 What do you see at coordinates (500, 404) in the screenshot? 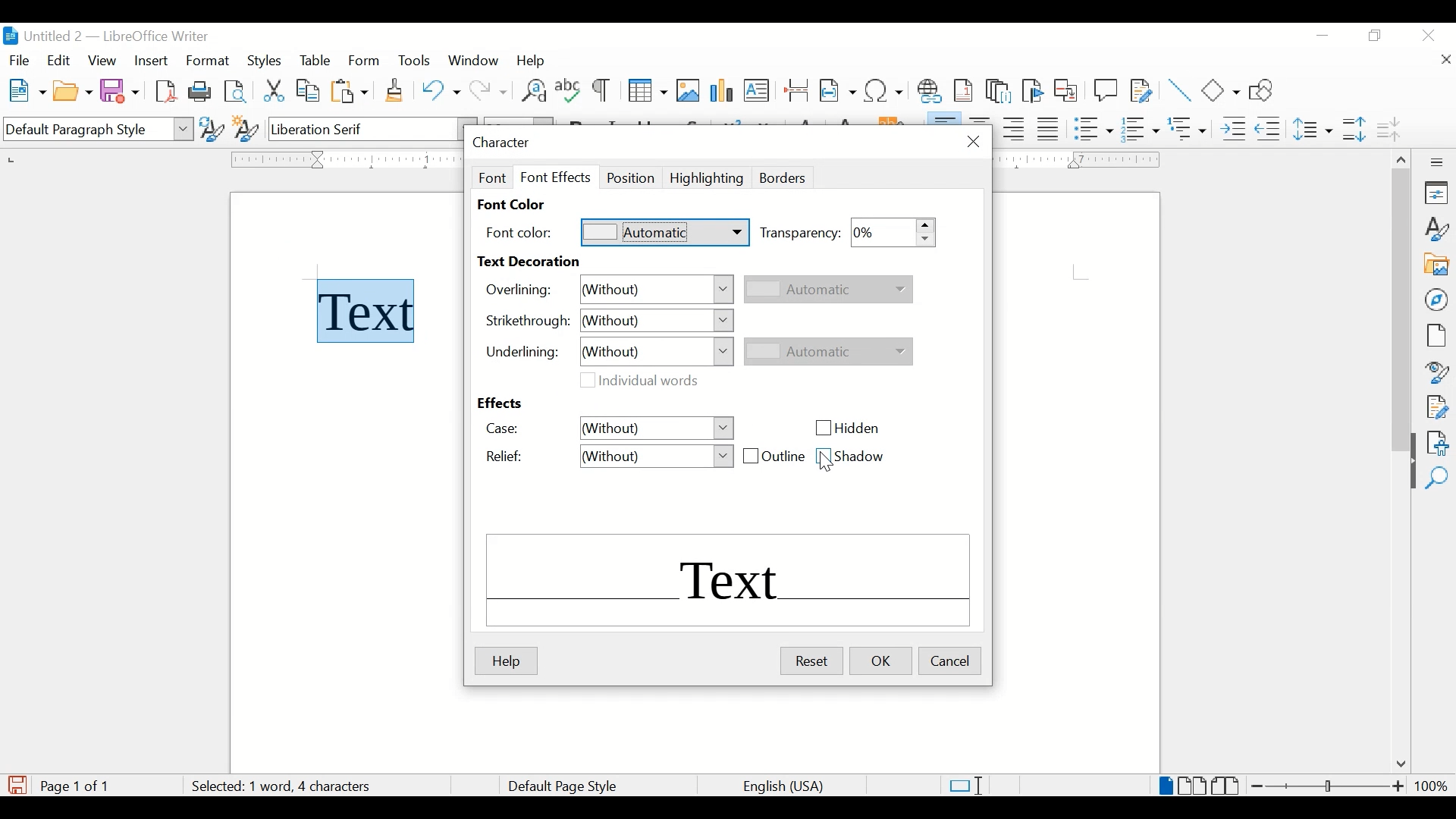
I see `effects` at bounding box center [500, 404].